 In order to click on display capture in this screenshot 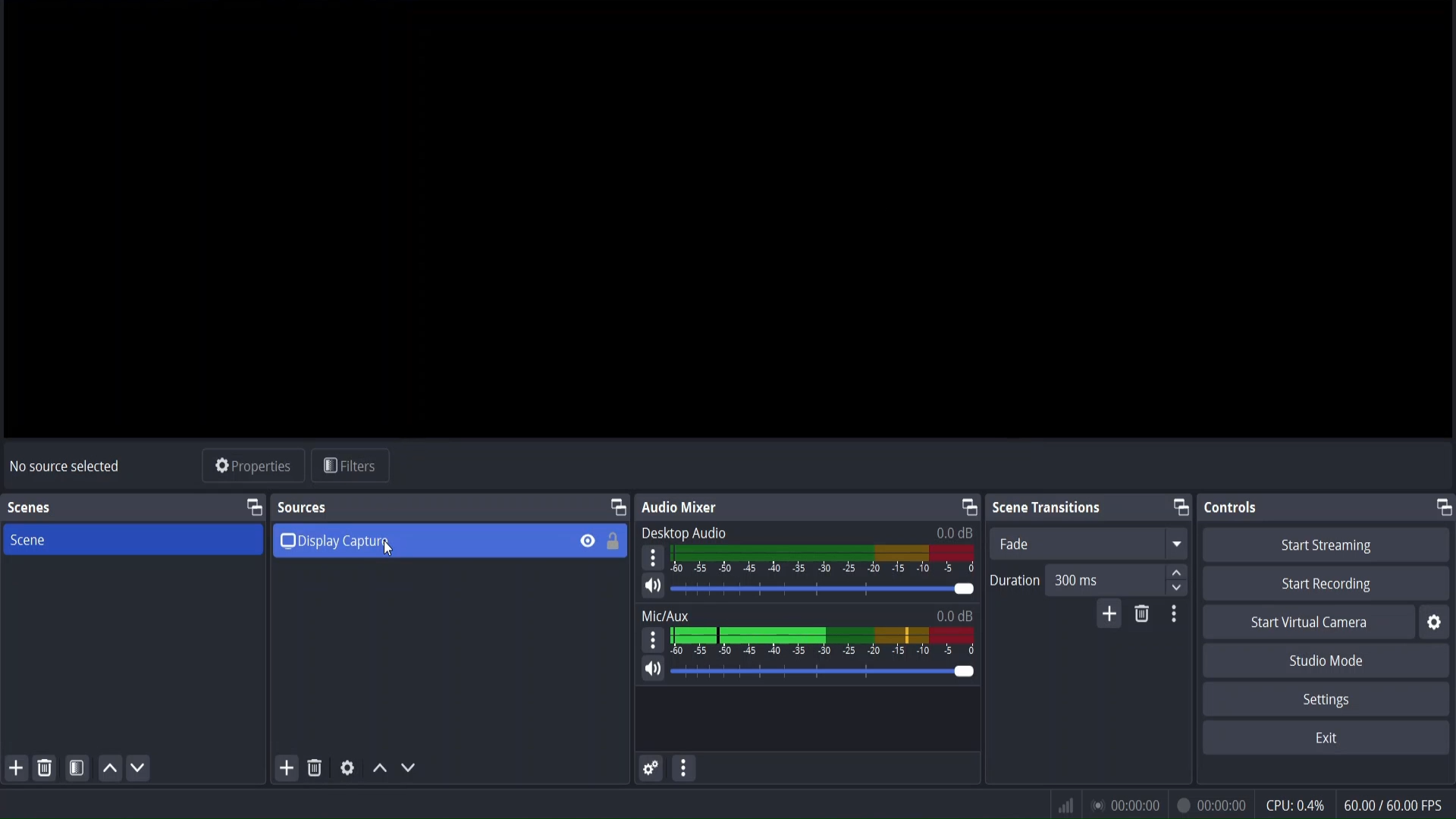, I will do `click(335, 541)`.